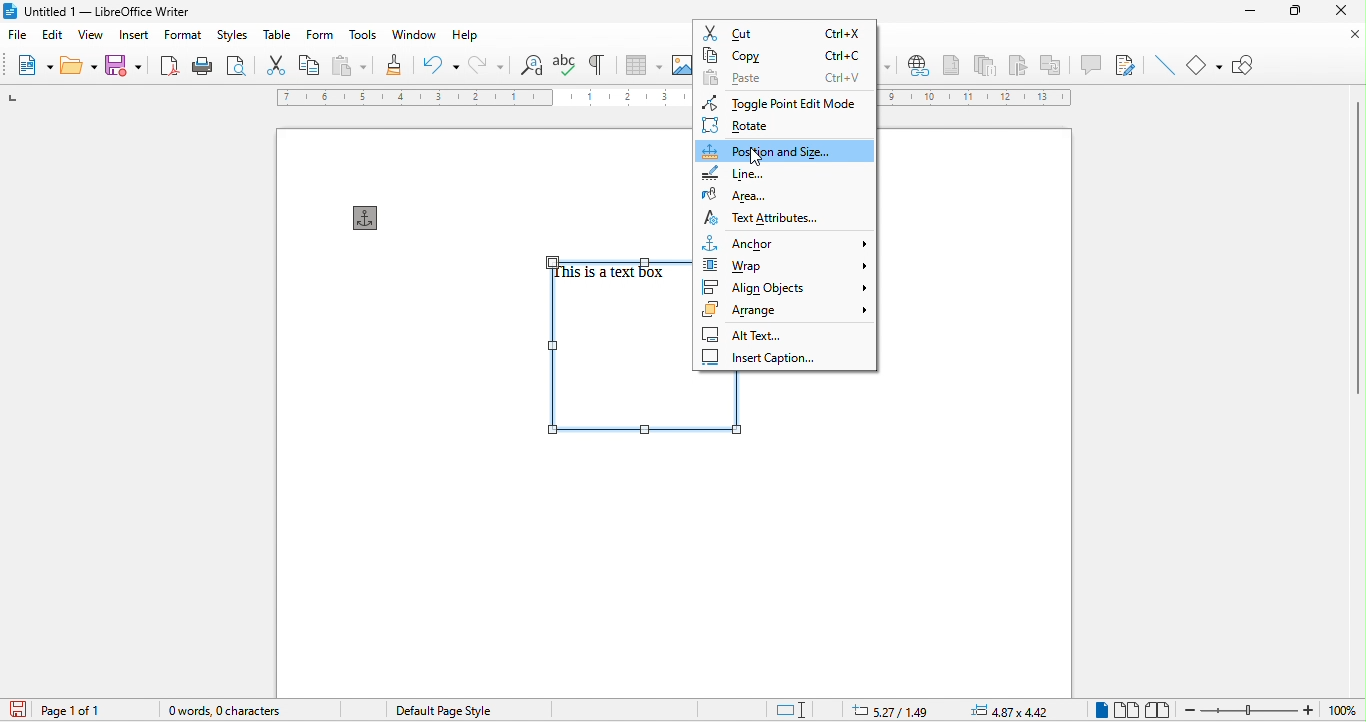 The height and width of the screenshot is (722, 1366). I want to click on insert, so click(133, 36).